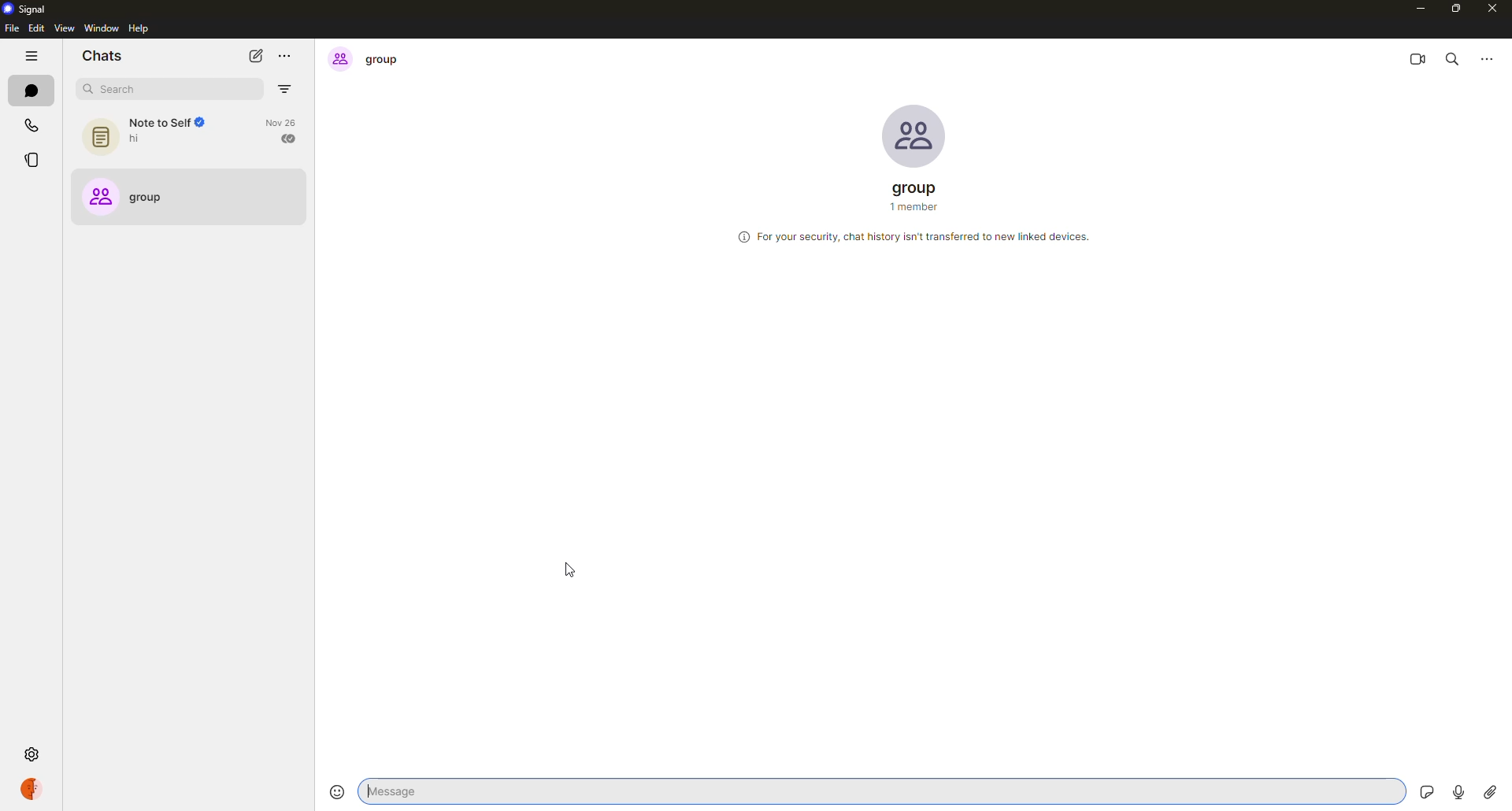 The image size is (1512, 811). I want to click on help, so click(139, 29).